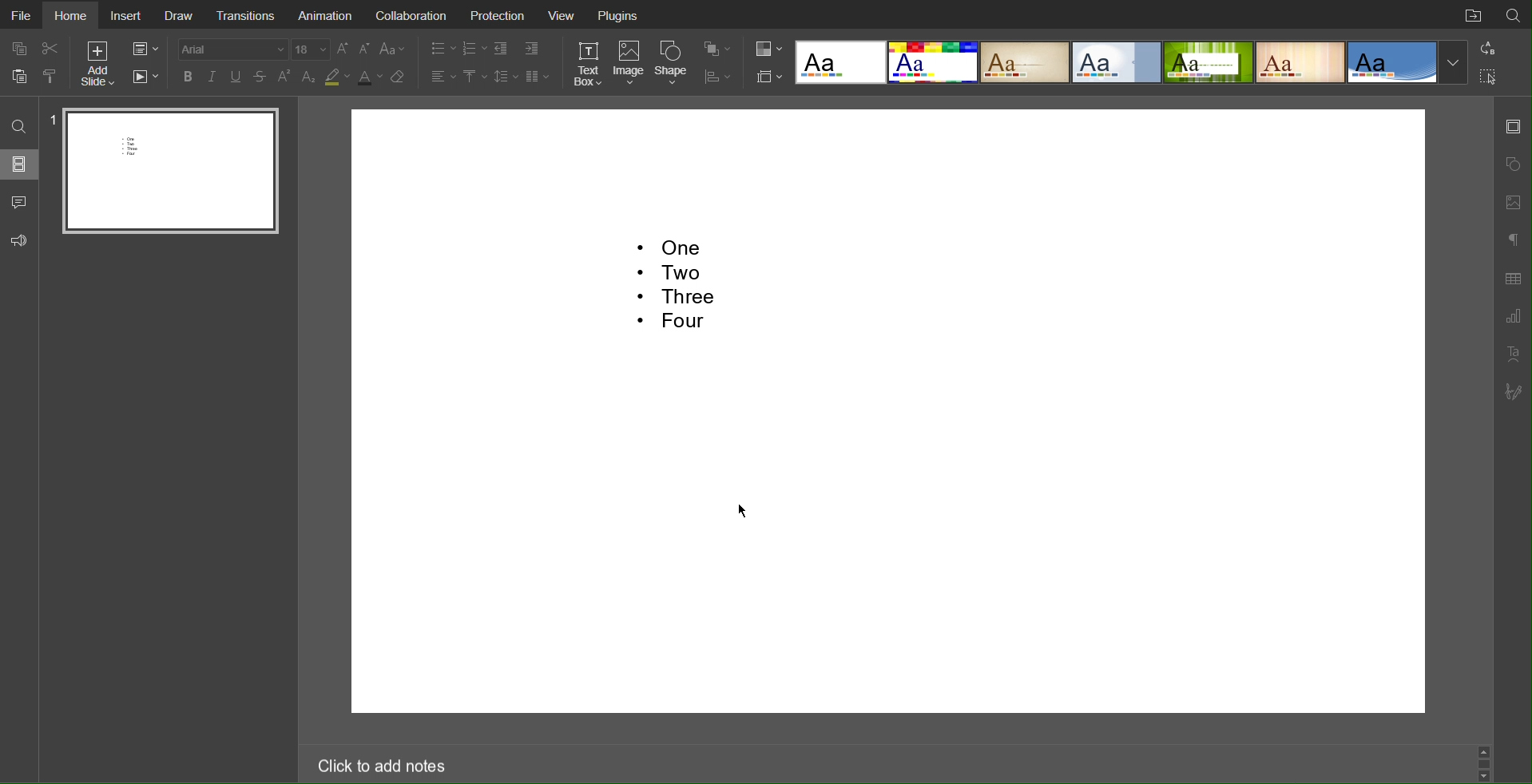 This screenshot has height=784, width=1532. What do you see at coordinates (444, 49) in the screenshot?
I see `Bullet List` at bounding box center [444, 49].